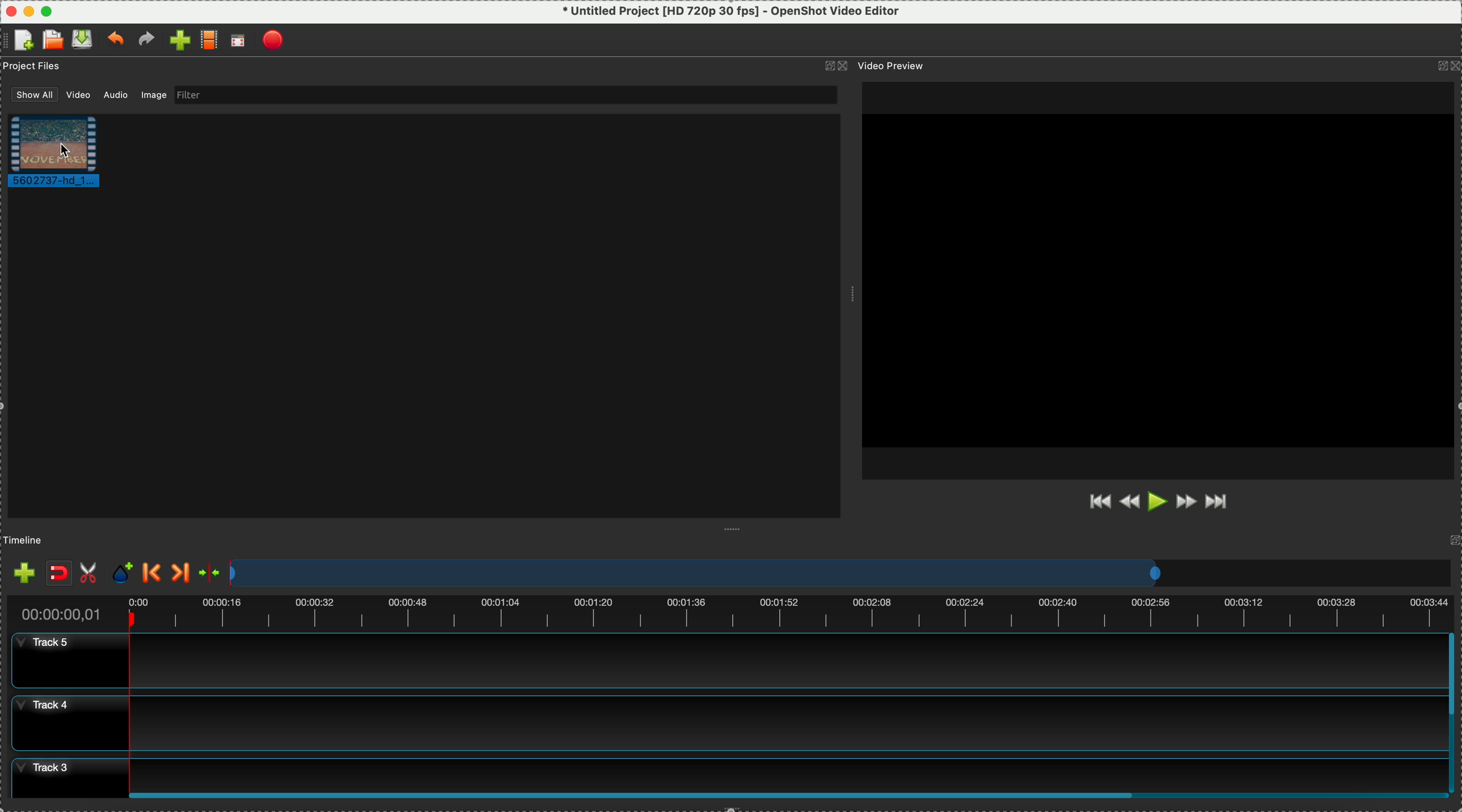 Image resolution: width=1462 pixels, height=812 pixels. What do you see at coordinates (83, 39) in the screenshot?
I see `save file` at bounding box center [83, 39].